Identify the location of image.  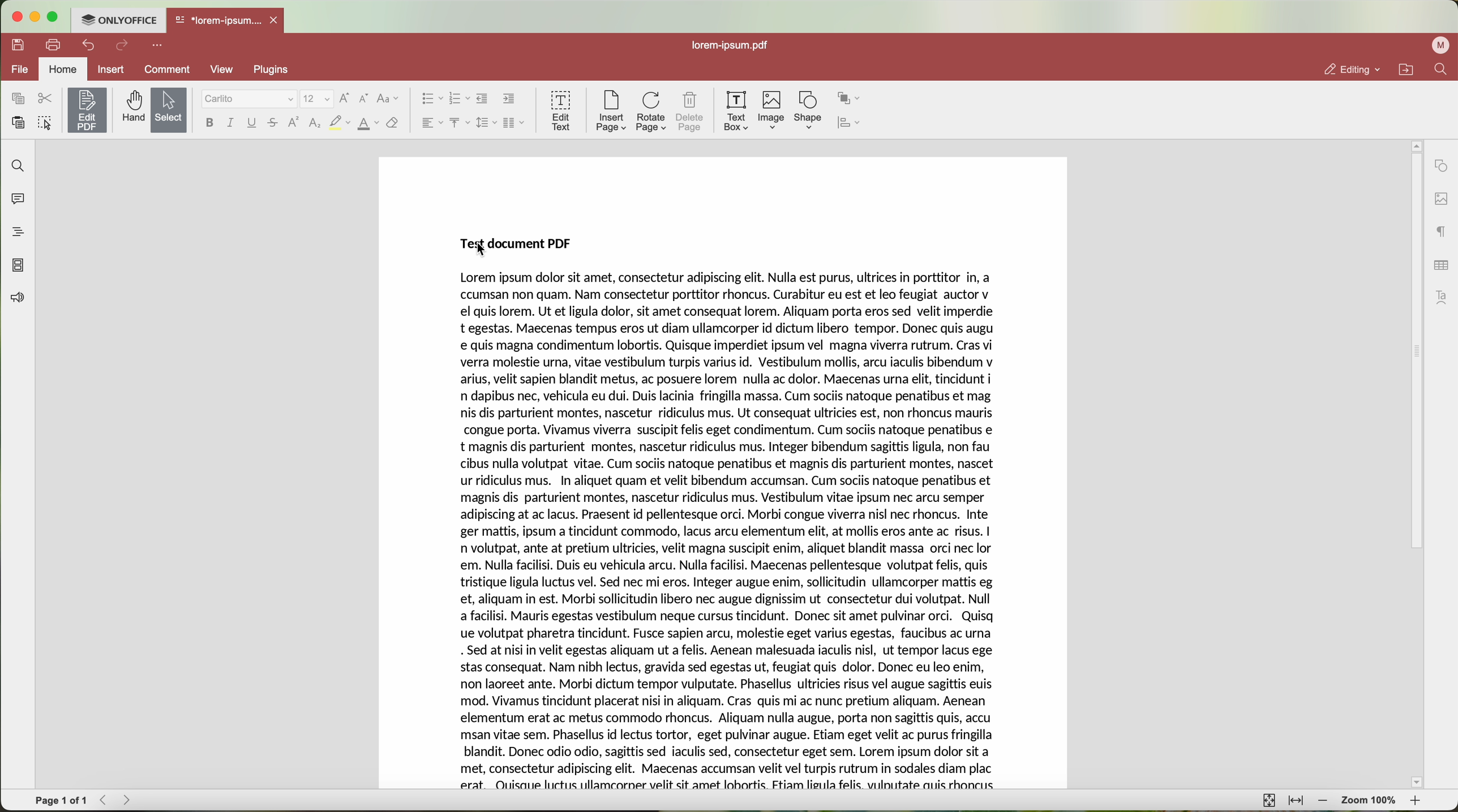
(773, 111).